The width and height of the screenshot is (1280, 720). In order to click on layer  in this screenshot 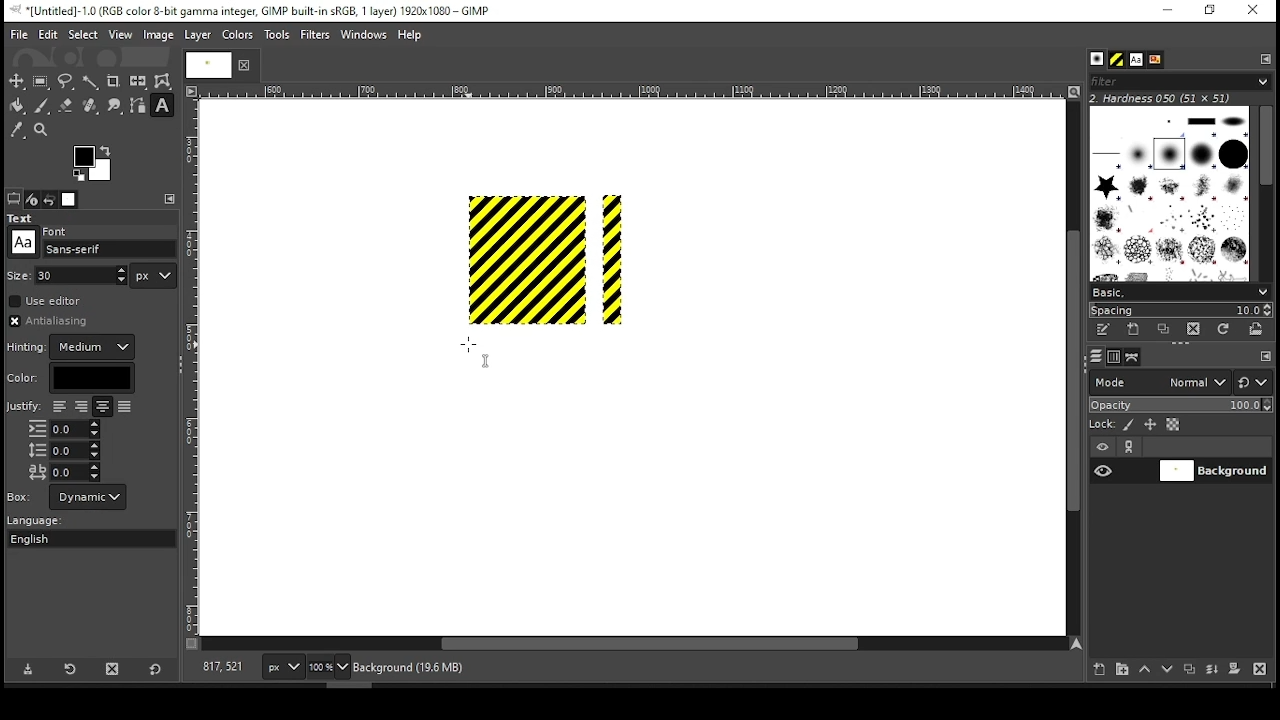, I will do `click(1213, 471)`.